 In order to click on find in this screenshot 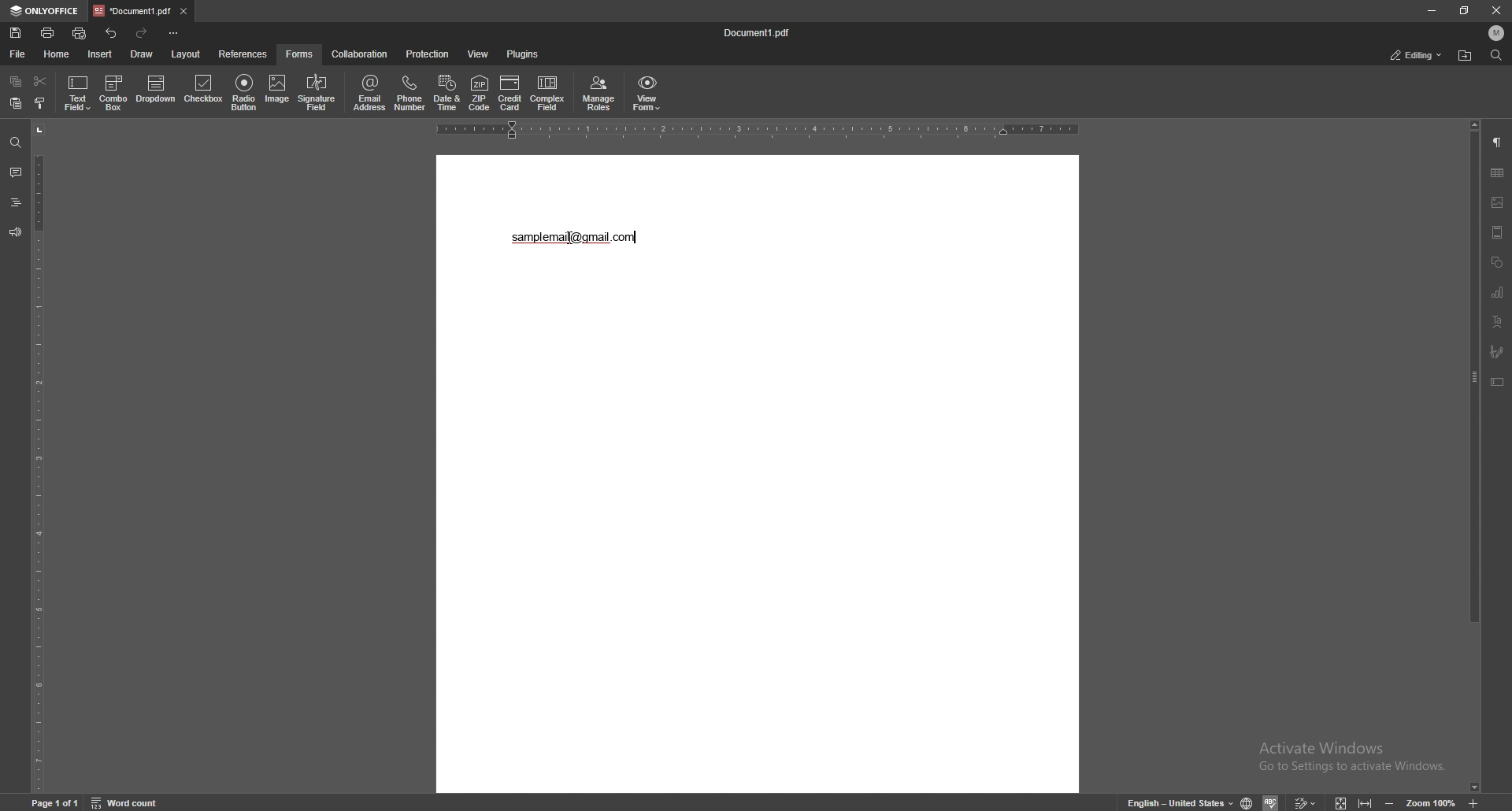, I will do `click(1495, 54)`.